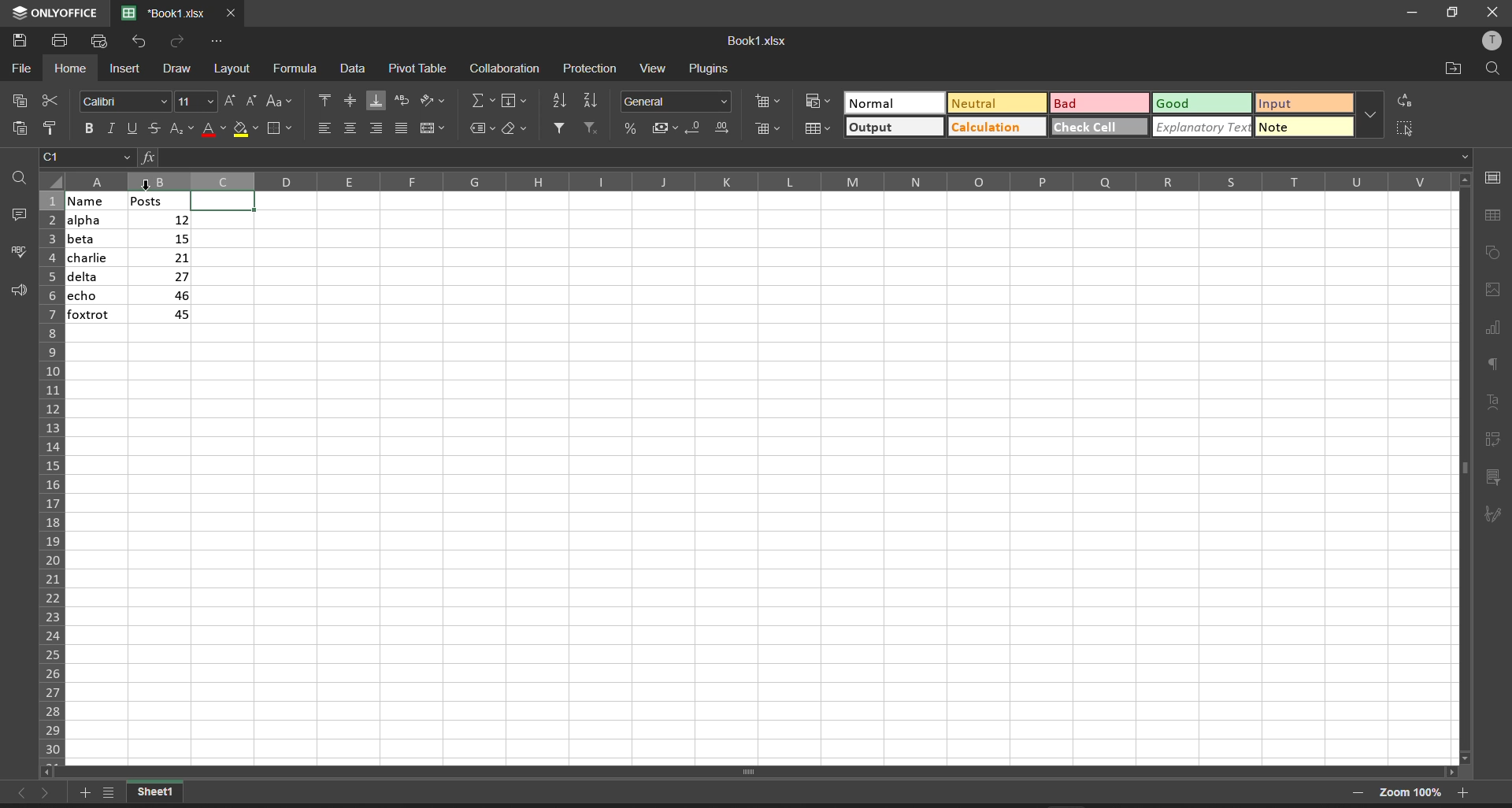 The image size is (1512, 808). What do you see at coordinates (401, 130) in the screenshot?
I see `justified` at bounding box center [401, 130].